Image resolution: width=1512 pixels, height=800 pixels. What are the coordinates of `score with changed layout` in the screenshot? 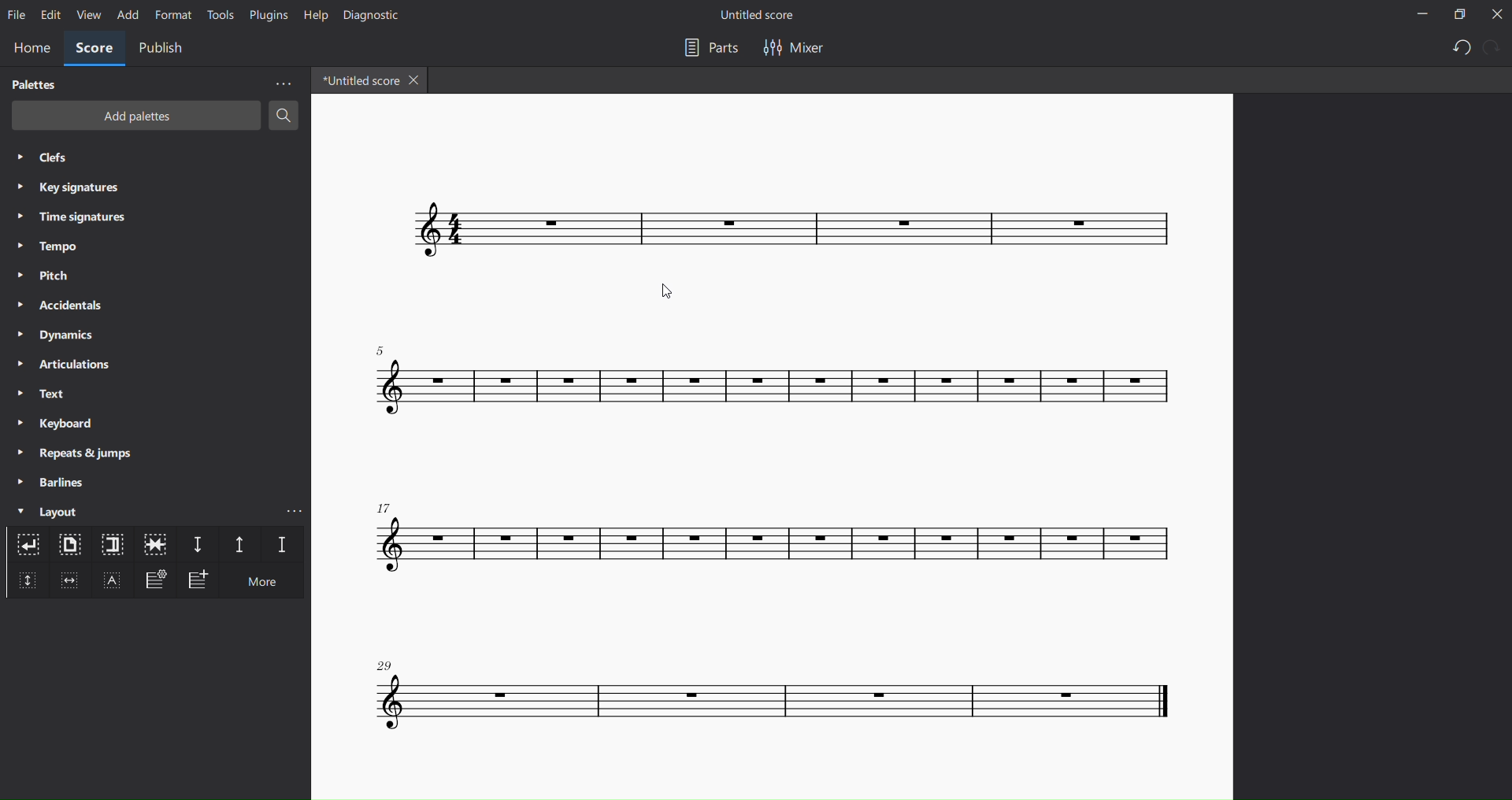 It's located at (782, 389).